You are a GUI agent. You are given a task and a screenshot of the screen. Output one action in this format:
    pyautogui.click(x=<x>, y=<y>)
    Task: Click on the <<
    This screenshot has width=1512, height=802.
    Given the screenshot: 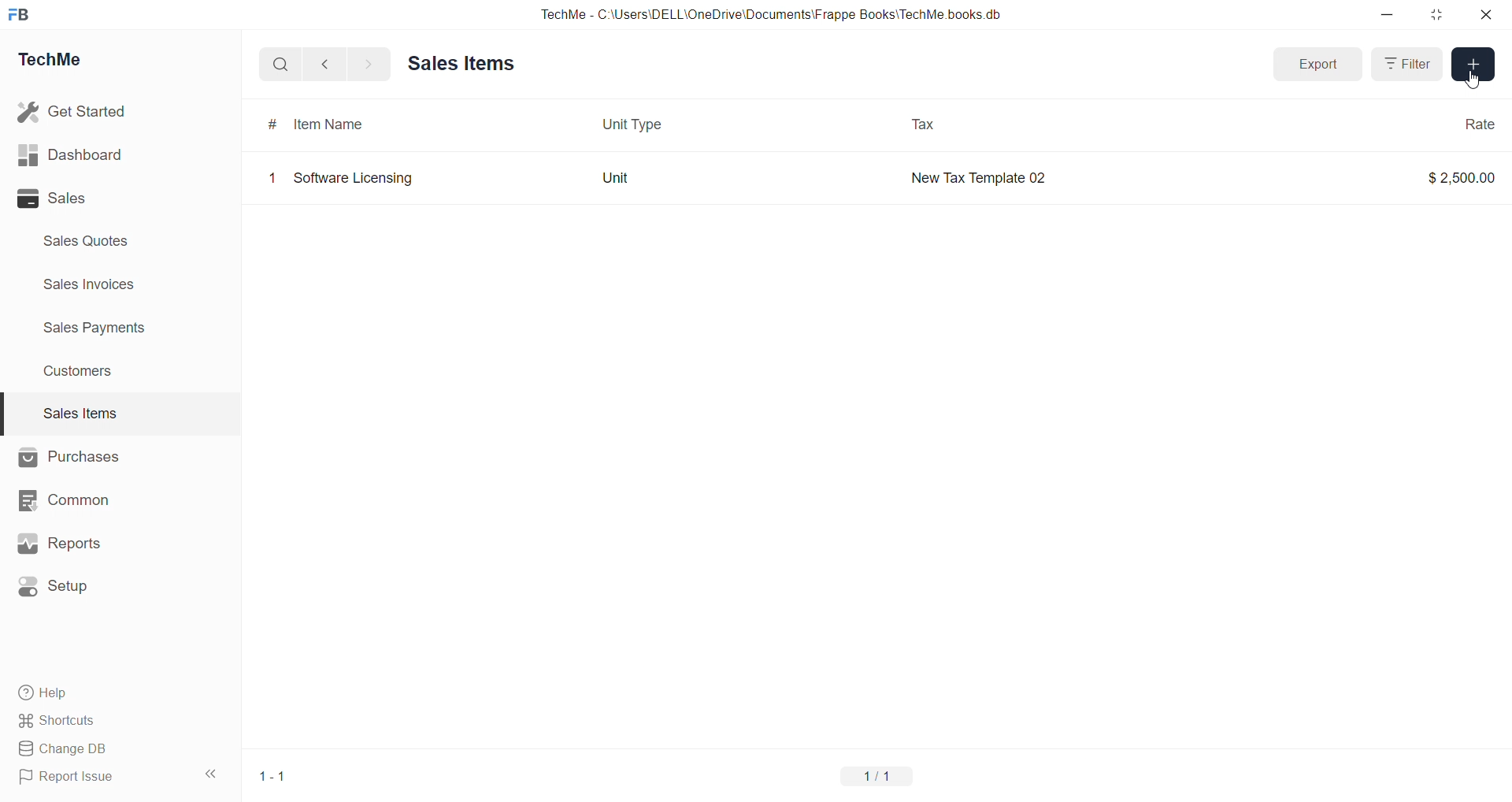 What is the action you would take?
    pyautogui.click(x=209, y=774)
    